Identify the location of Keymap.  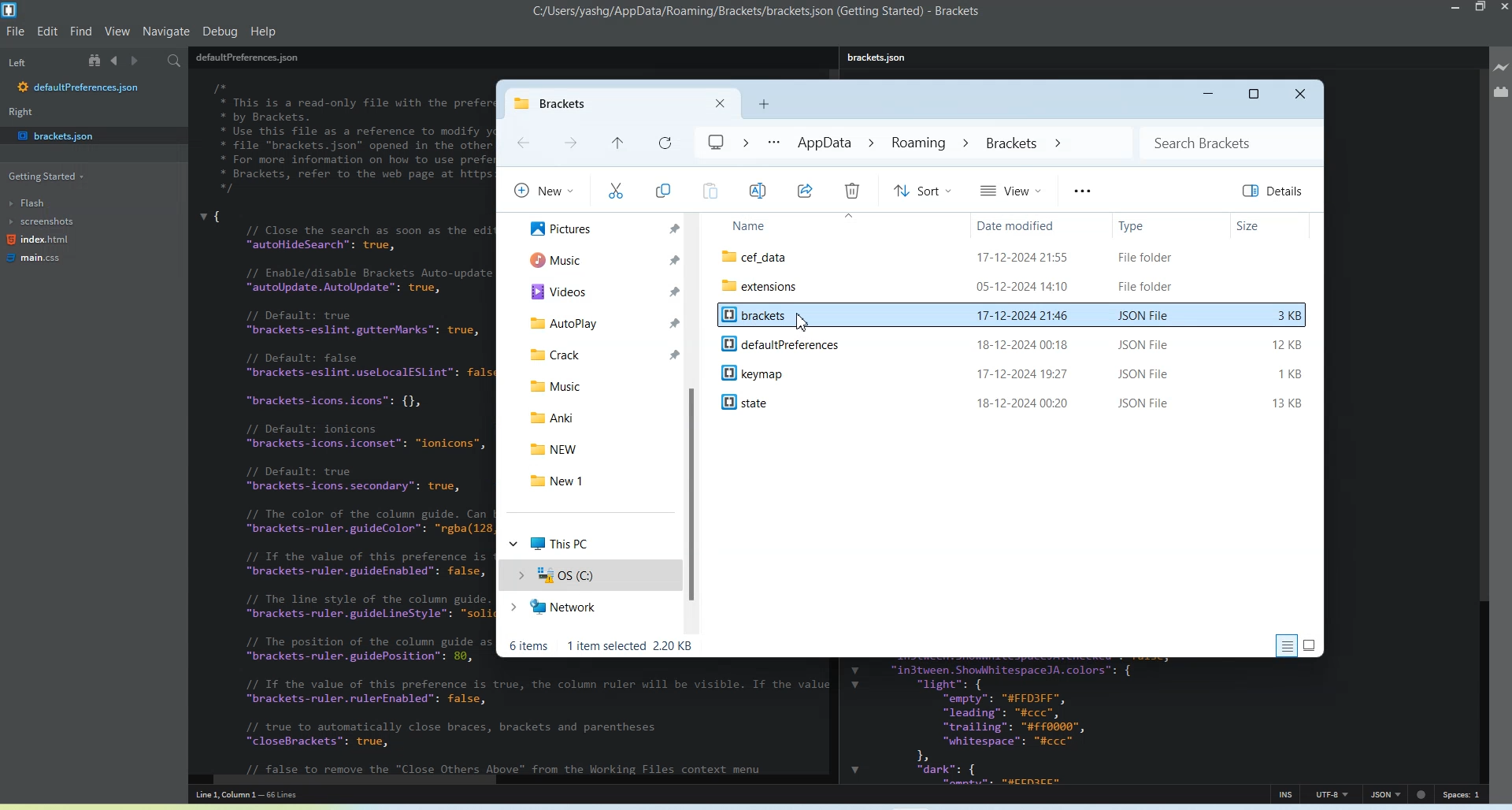
(1016, 371).